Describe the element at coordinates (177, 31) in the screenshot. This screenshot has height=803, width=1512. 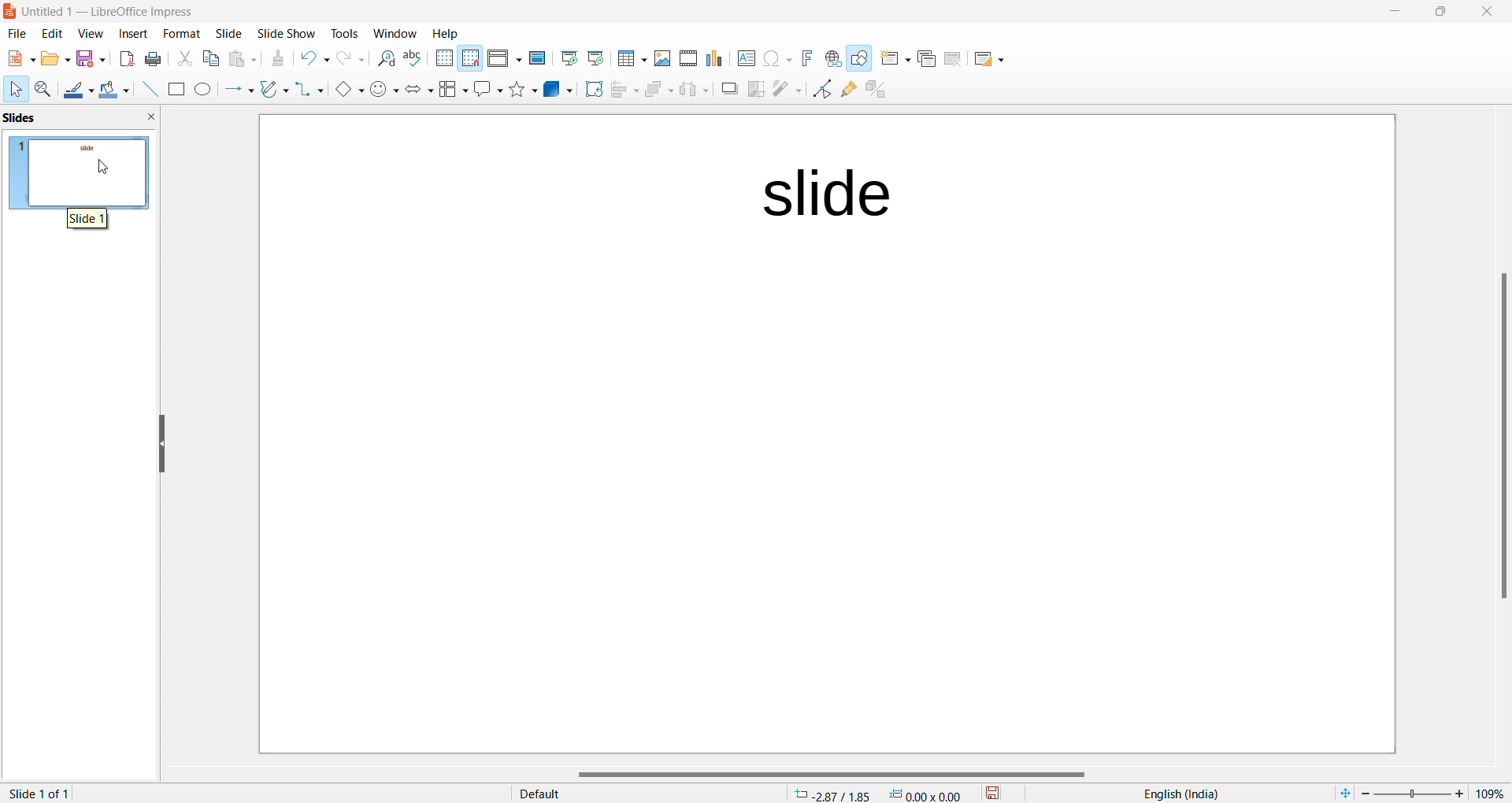
I see `Format` at that location.